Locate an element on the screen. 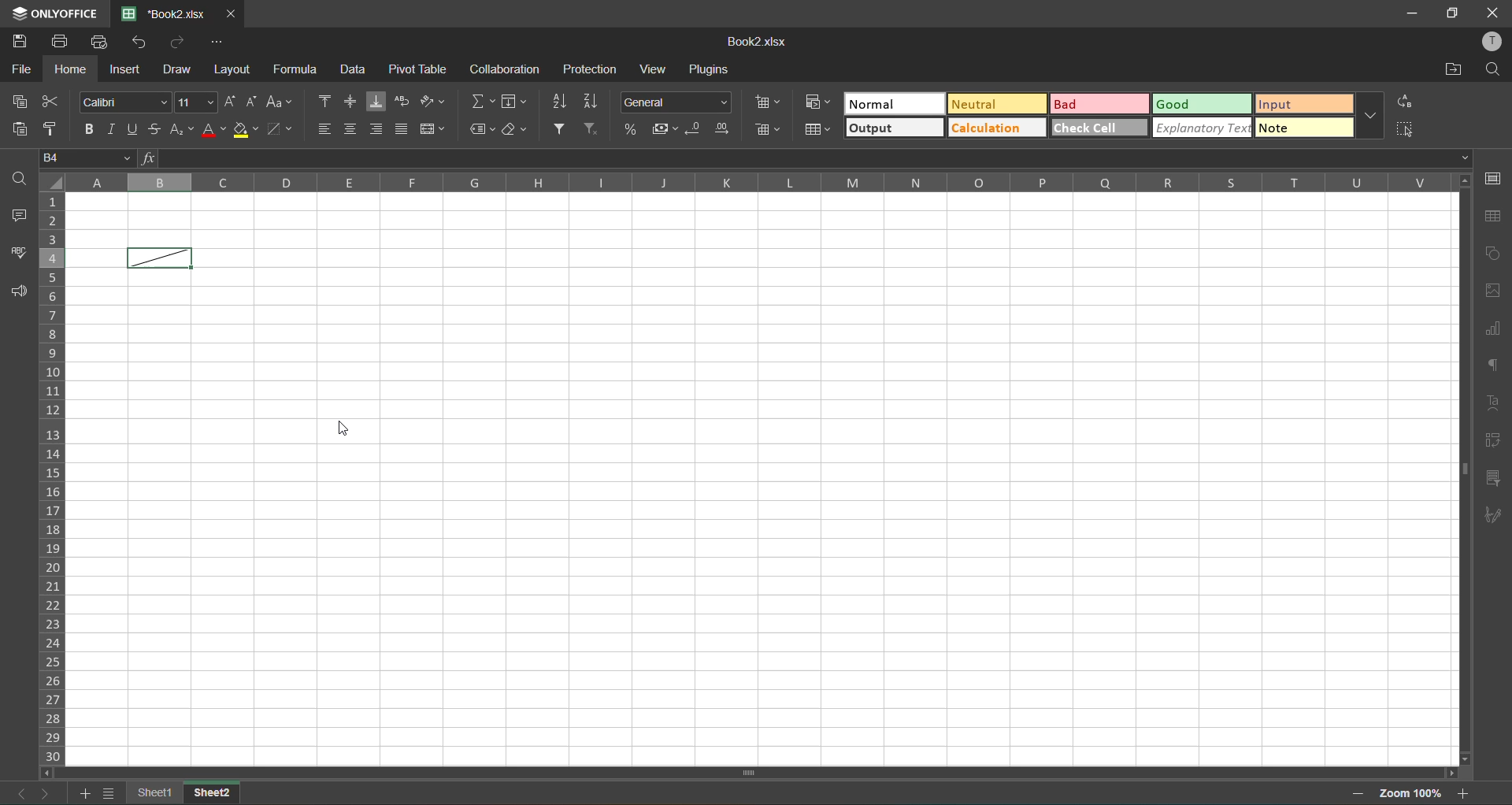  sheet 1 is located at coordinates (157, 792).